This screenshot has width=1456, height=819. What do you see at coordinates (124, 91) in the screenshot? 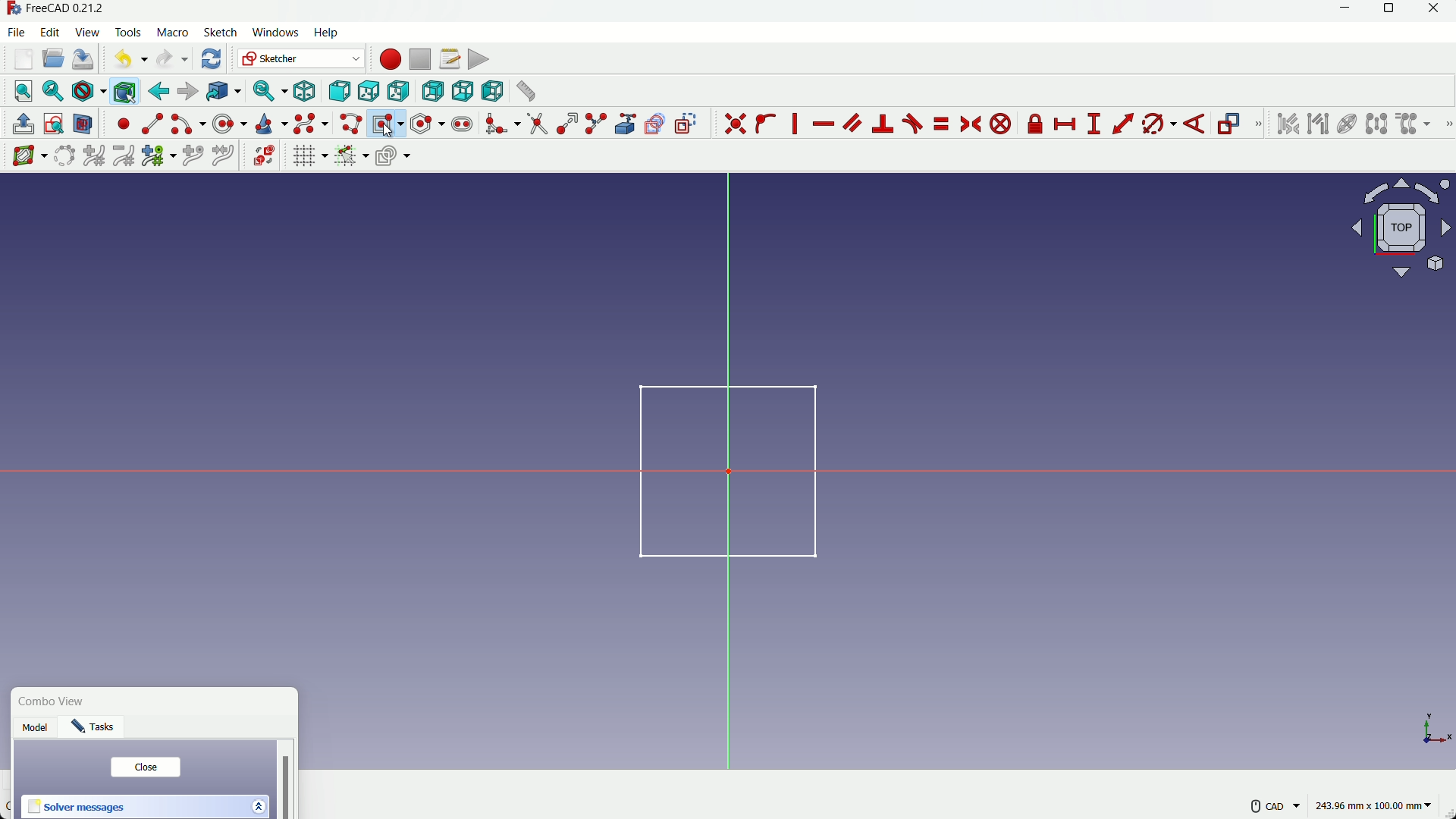
I see `bounding box` at bounding box center [124, 91].